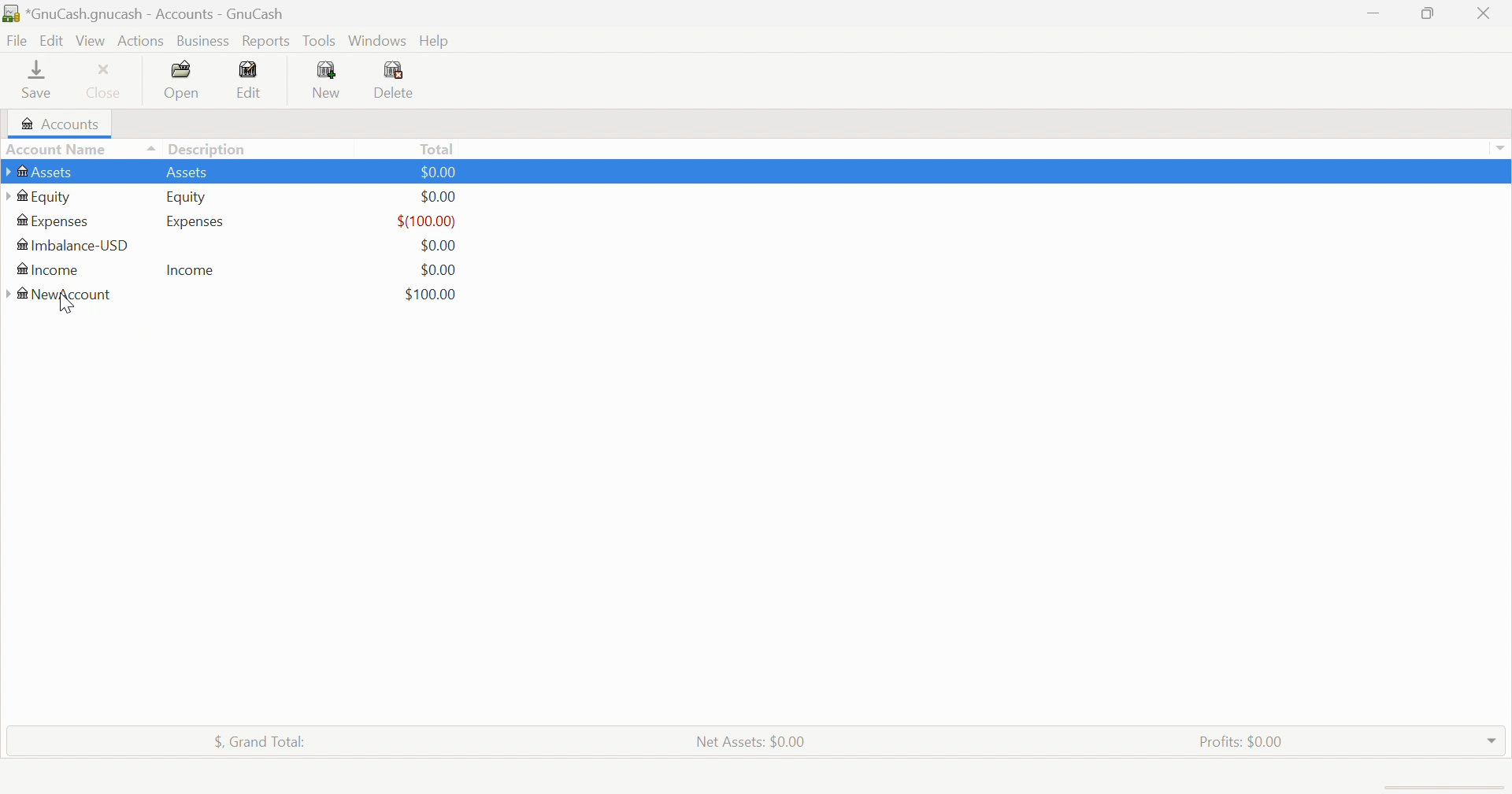 This screenshot has height=794, width=1512. I want to click on $0.00, so click(438, 172).